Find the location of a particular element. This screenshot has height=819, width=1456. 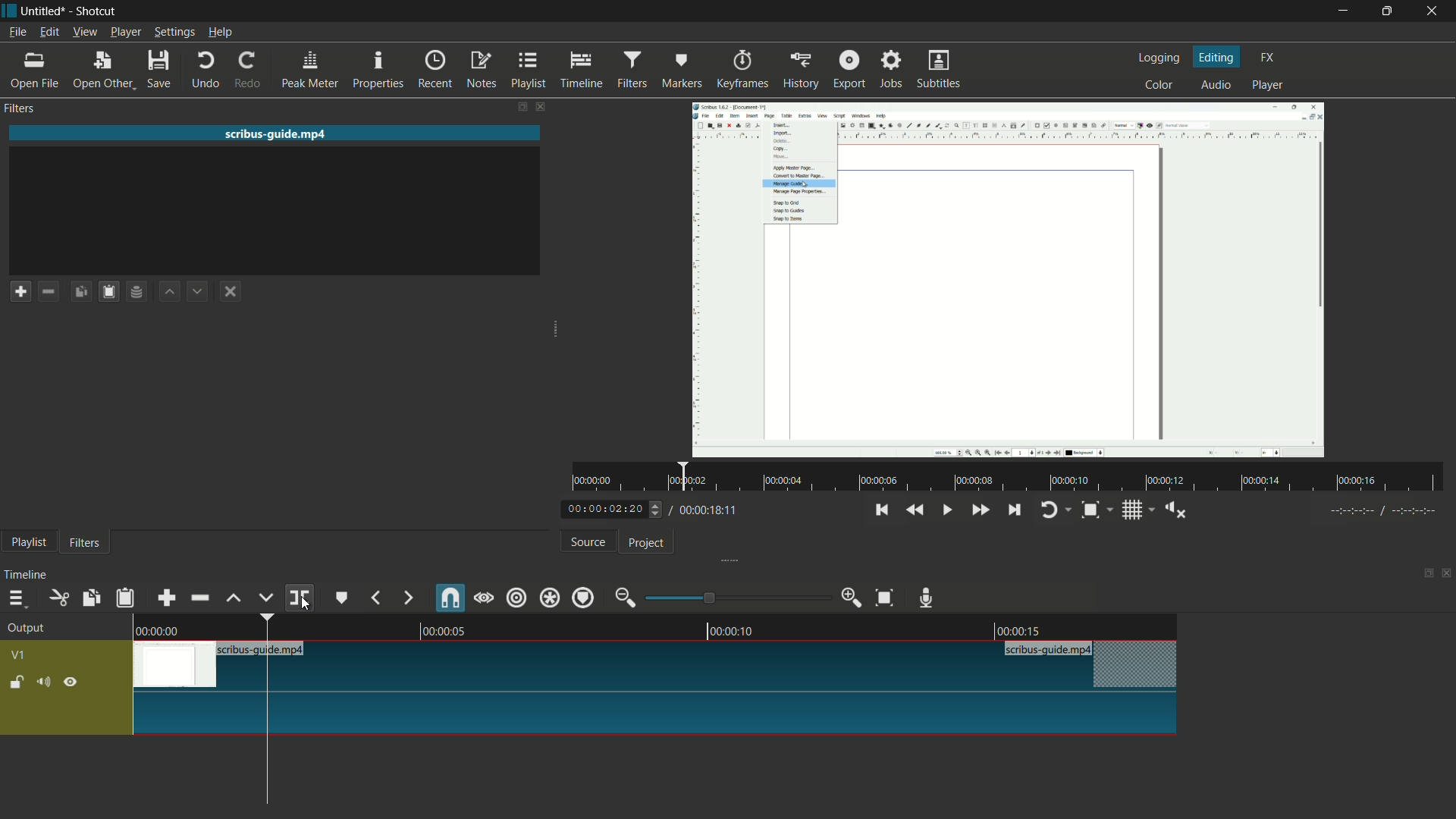

history is located at coordinates (800, 71).